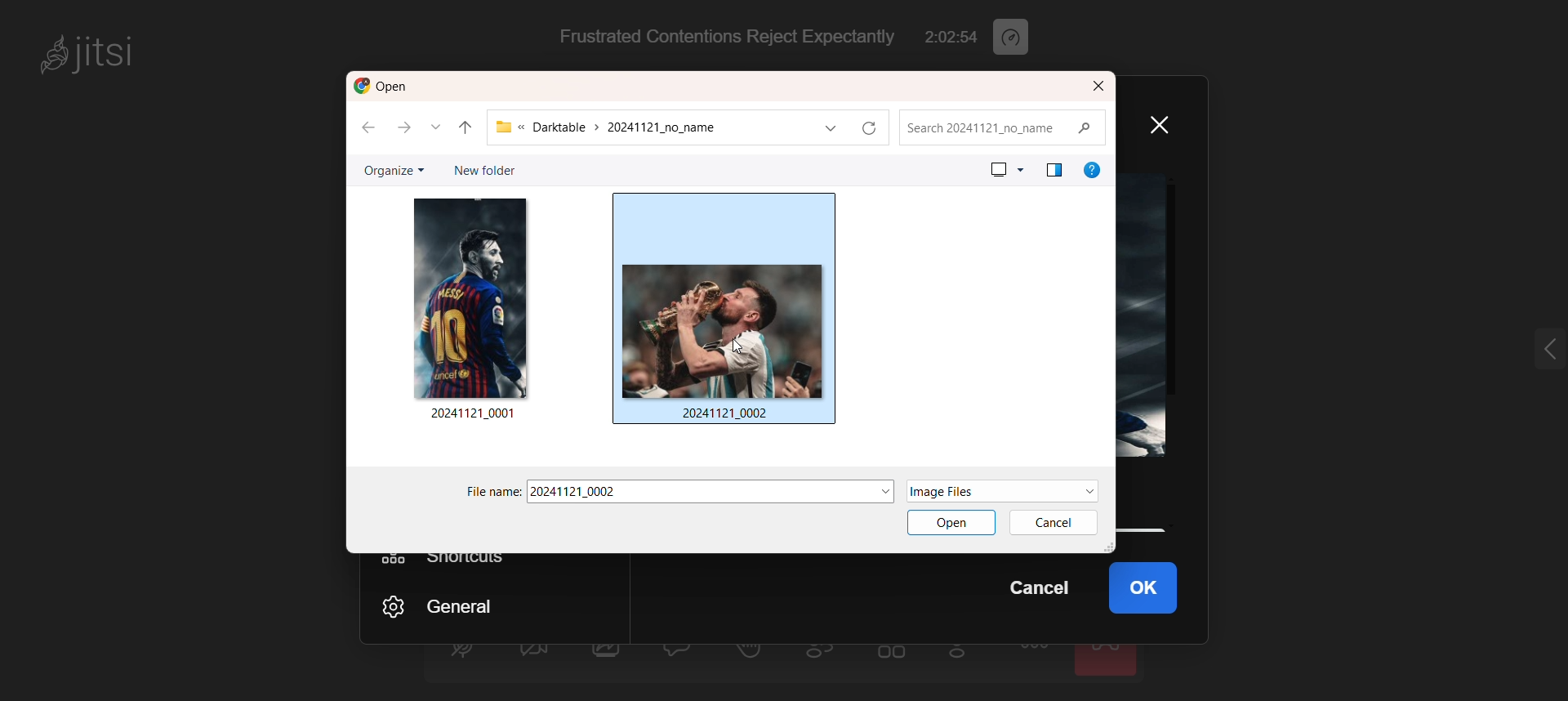 The height and width of the screenshot is (701, 1568). Describe the element at coordinates (391, 172) in the screenshot. I see `organize` at that location.